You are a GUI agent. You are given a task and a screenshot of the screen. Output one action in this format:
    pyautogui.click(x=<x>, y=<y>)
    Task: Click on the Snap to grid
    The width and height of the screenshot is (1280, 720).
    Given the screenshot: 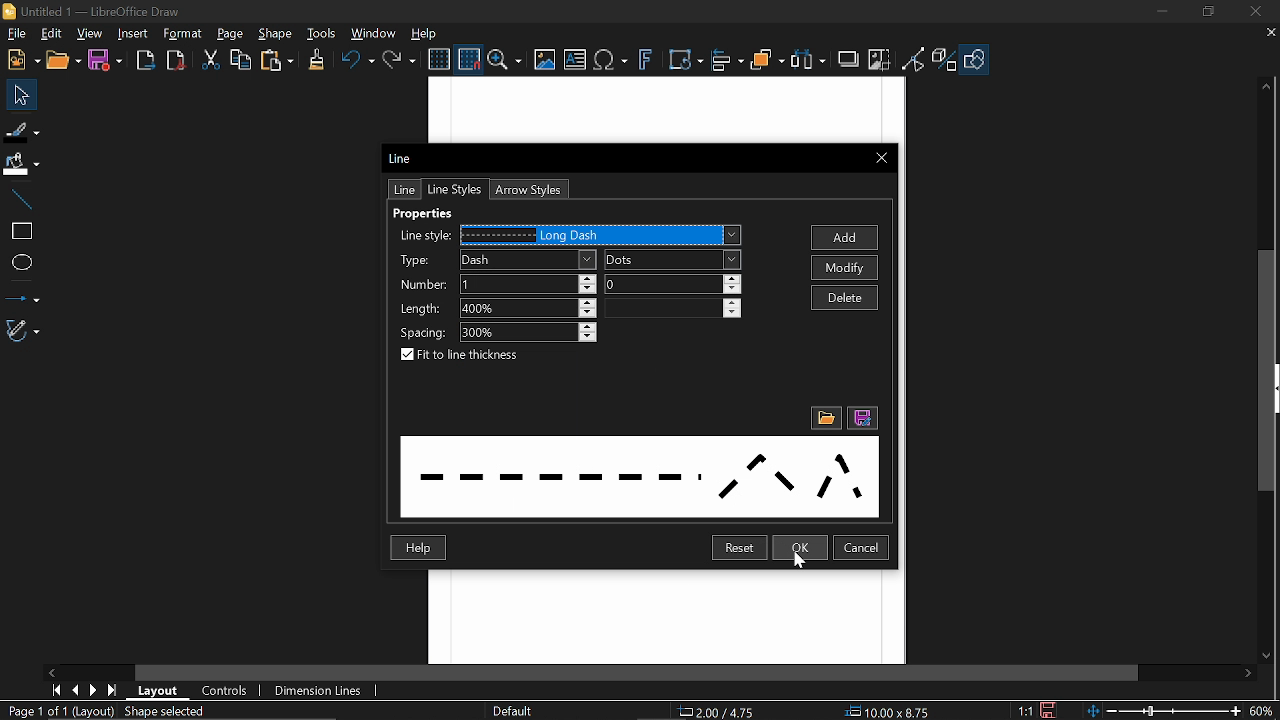 What is the action you would take?
    pyautogui.click(x=467, y=58)
    